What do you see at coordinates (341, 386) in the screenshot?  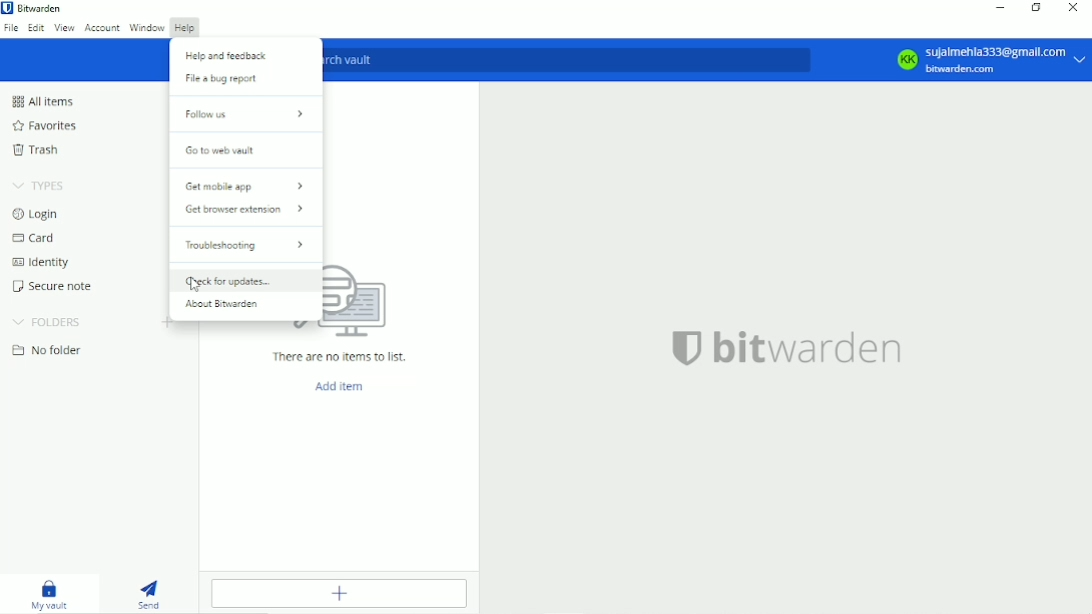 I see `Add item` at bounding box center [341, 386].